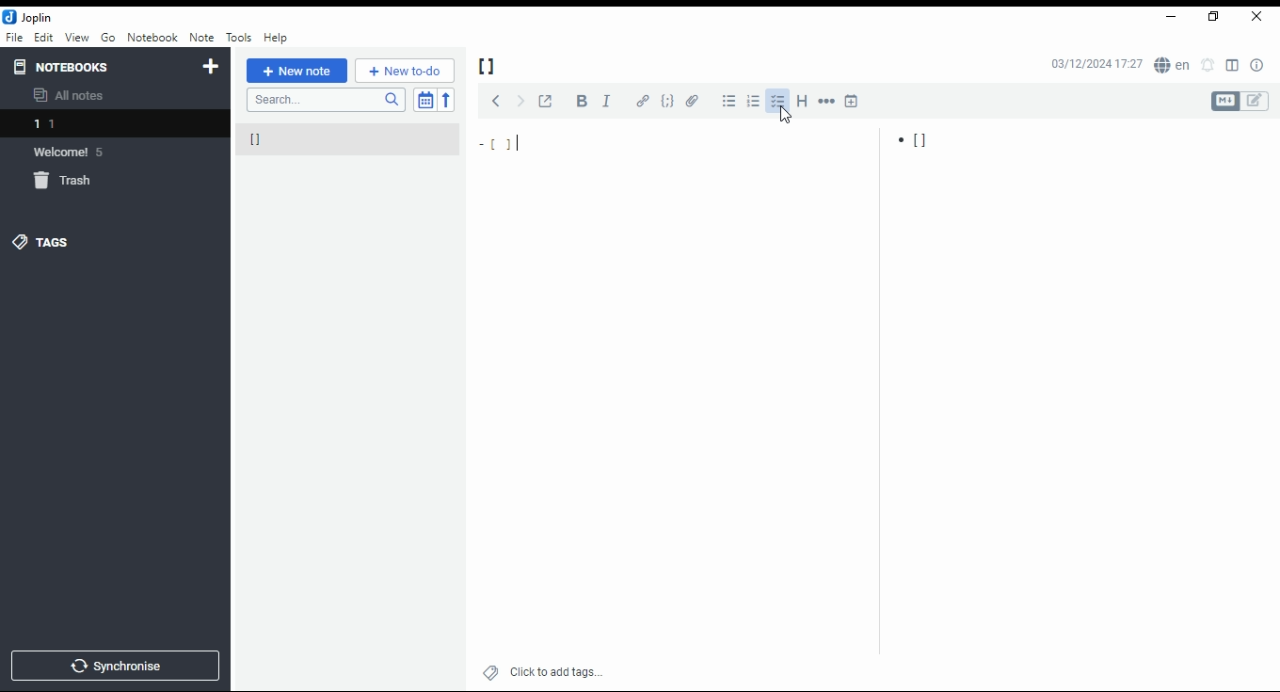 Image resolution: width=1280 pixels, height=692 pixels. I want to click on notebook, so click(153, 37).